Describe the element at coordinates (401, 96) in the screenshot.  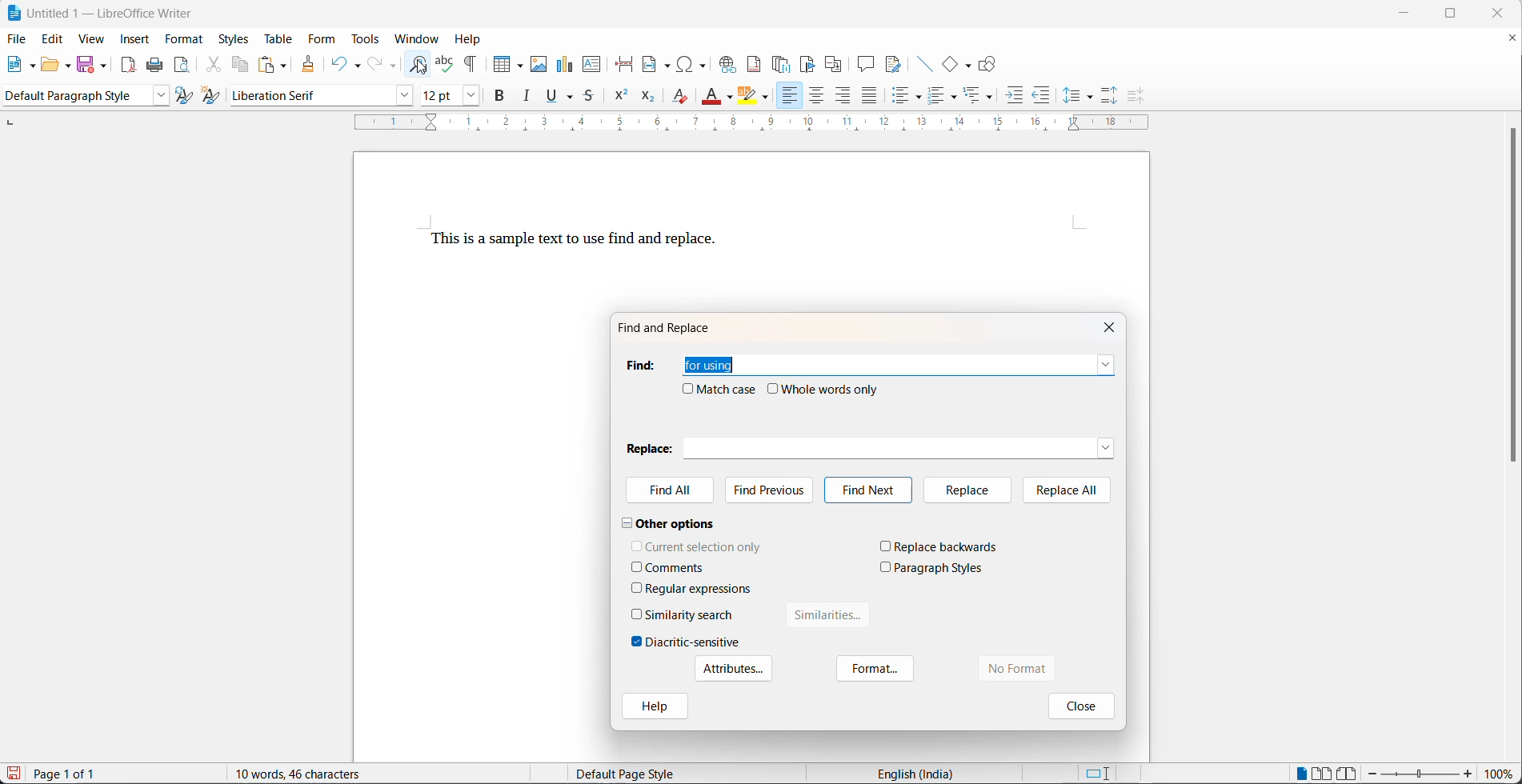
I see `font name options` at that location.